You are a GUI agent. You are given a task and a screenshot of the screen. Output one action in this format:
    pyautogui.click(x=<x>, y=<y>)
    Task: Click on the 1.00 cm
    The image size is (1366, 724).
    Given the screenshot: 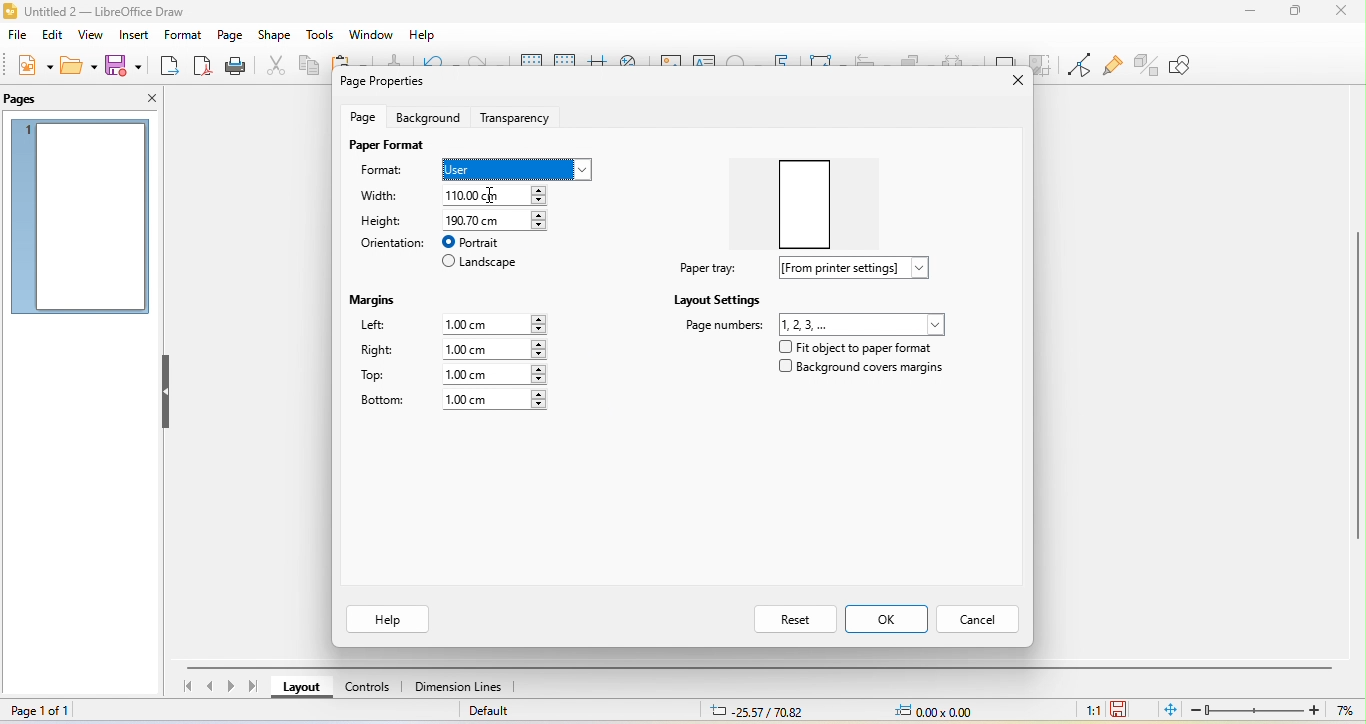 What is the action you would take?
    pyautogui.click(x=494, y=374)
    